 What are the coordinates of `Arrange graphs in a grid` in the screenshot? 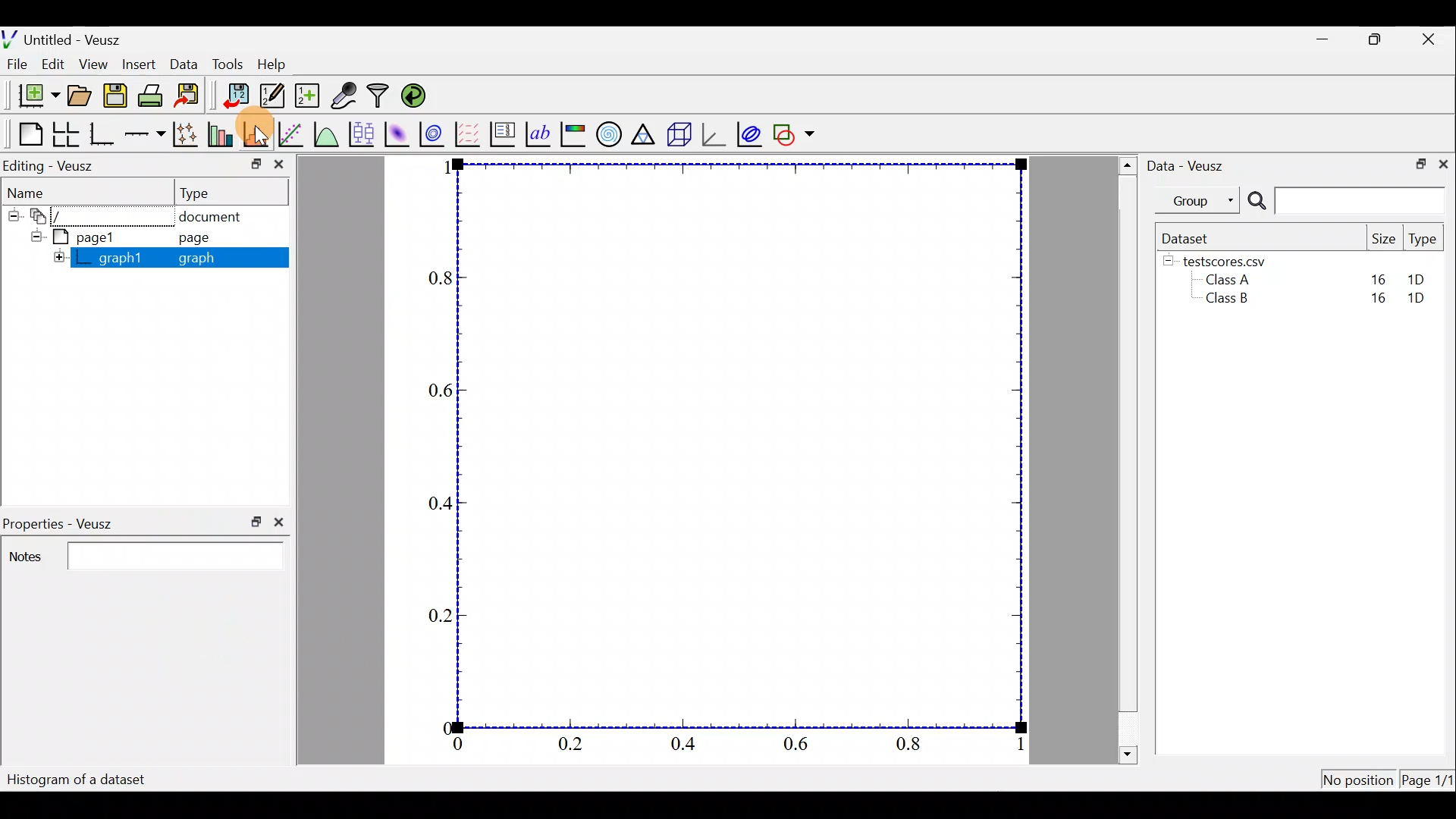 It's located at (67, 134).